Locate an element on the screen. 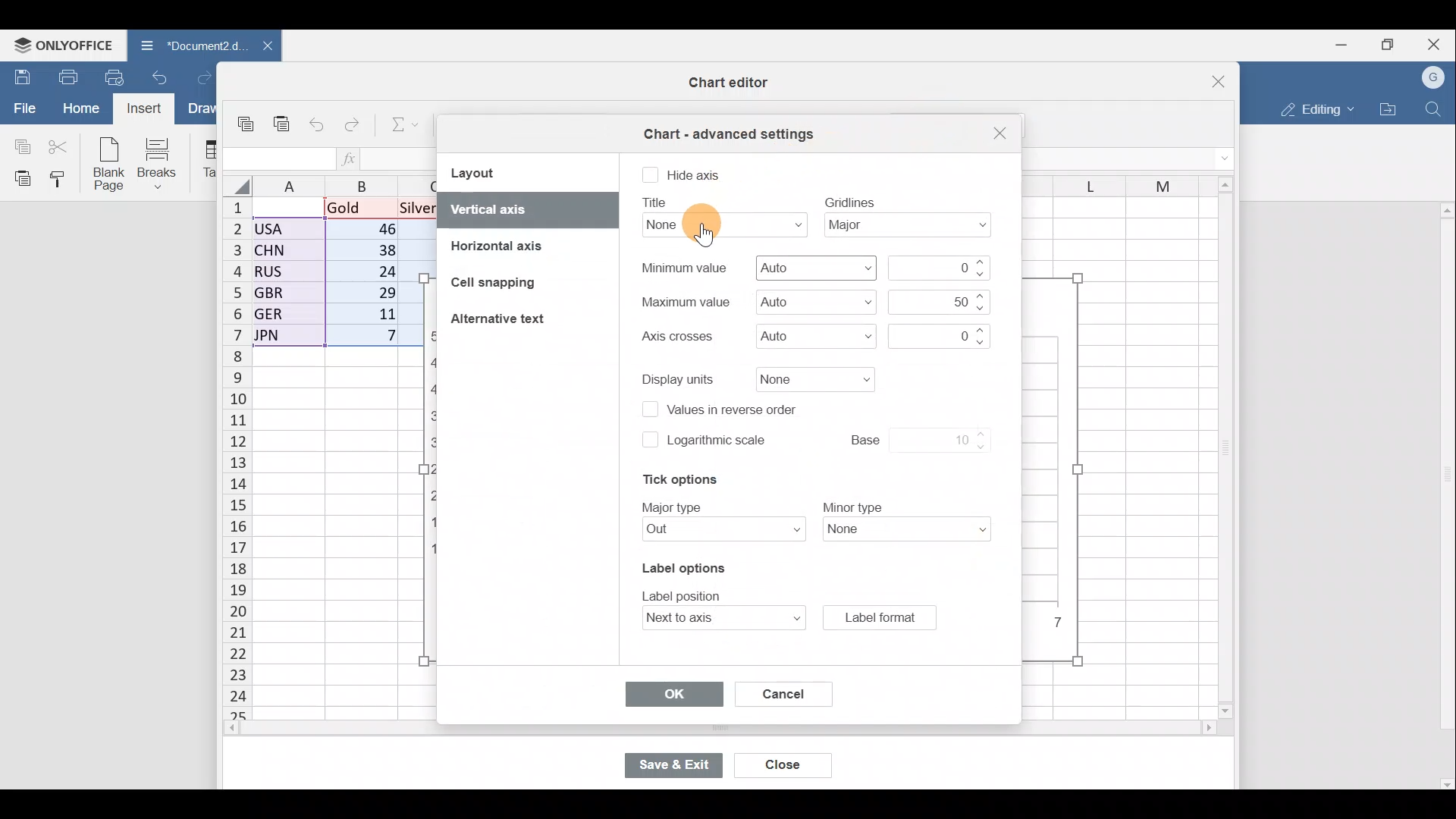 The height and width of the screenshot is (819, 1456). Redo is located at coordinates (355, 121).